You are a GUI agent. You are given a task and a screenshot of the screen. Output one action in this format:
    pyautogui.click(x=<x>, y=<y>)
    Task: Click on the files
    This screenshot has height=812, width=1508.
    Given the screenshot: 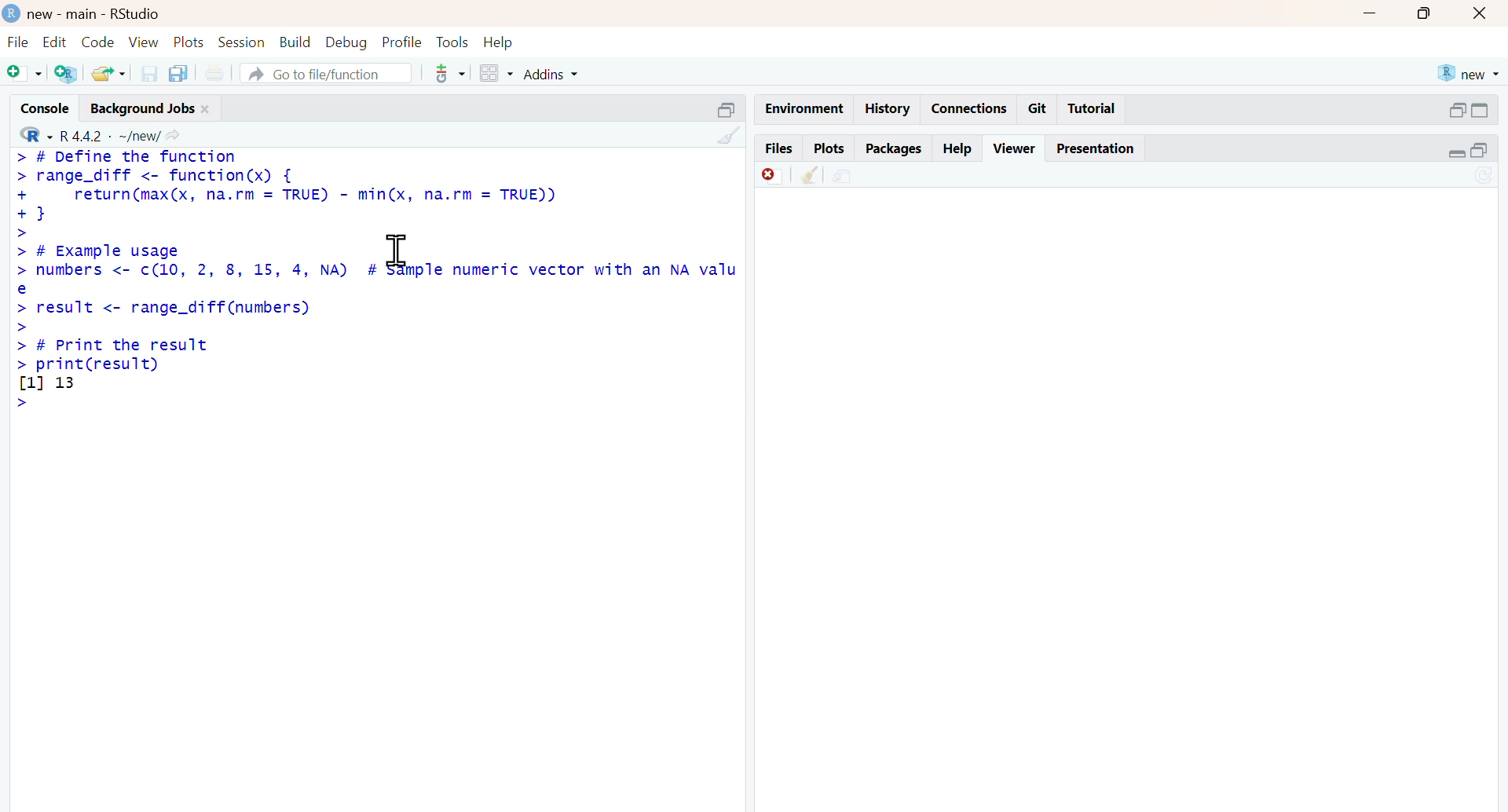 What is the action you would take?
    pyautogui.click(x=778, y=149)
    